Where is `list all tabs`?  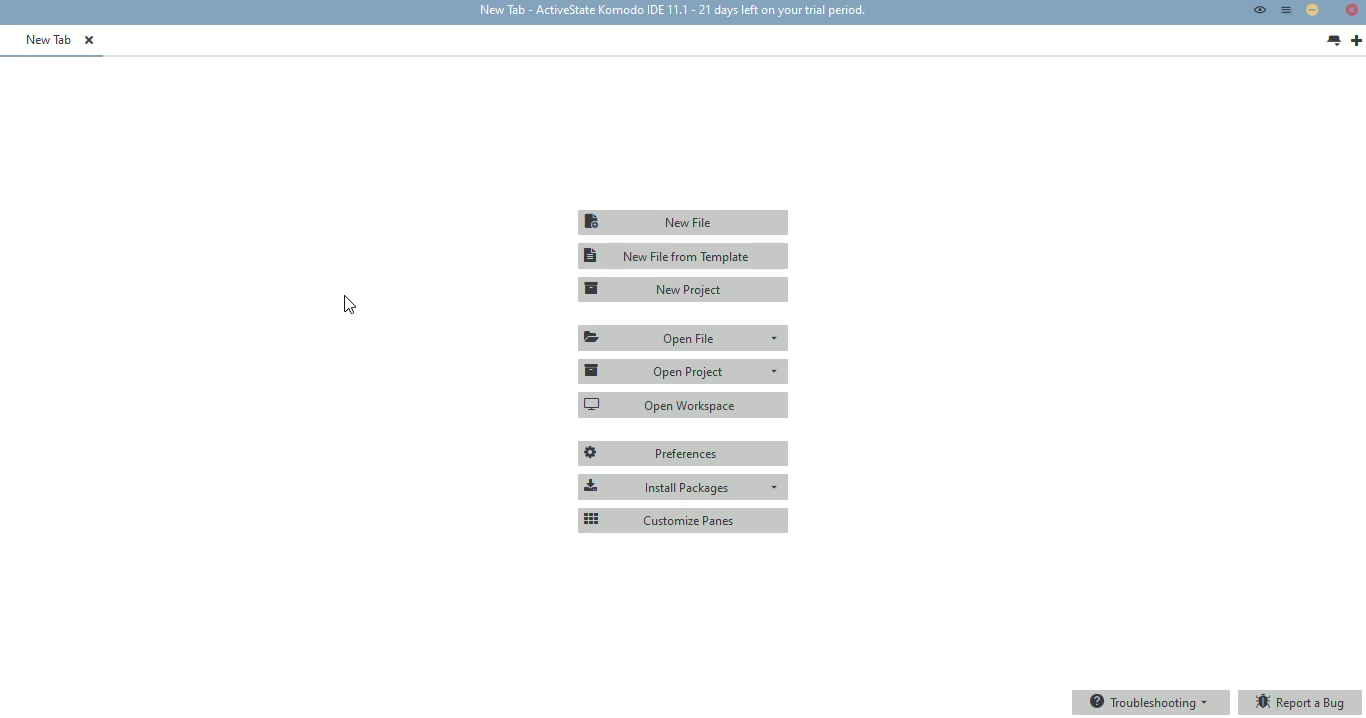 list all tabs is located at coordinates (1333, 41).